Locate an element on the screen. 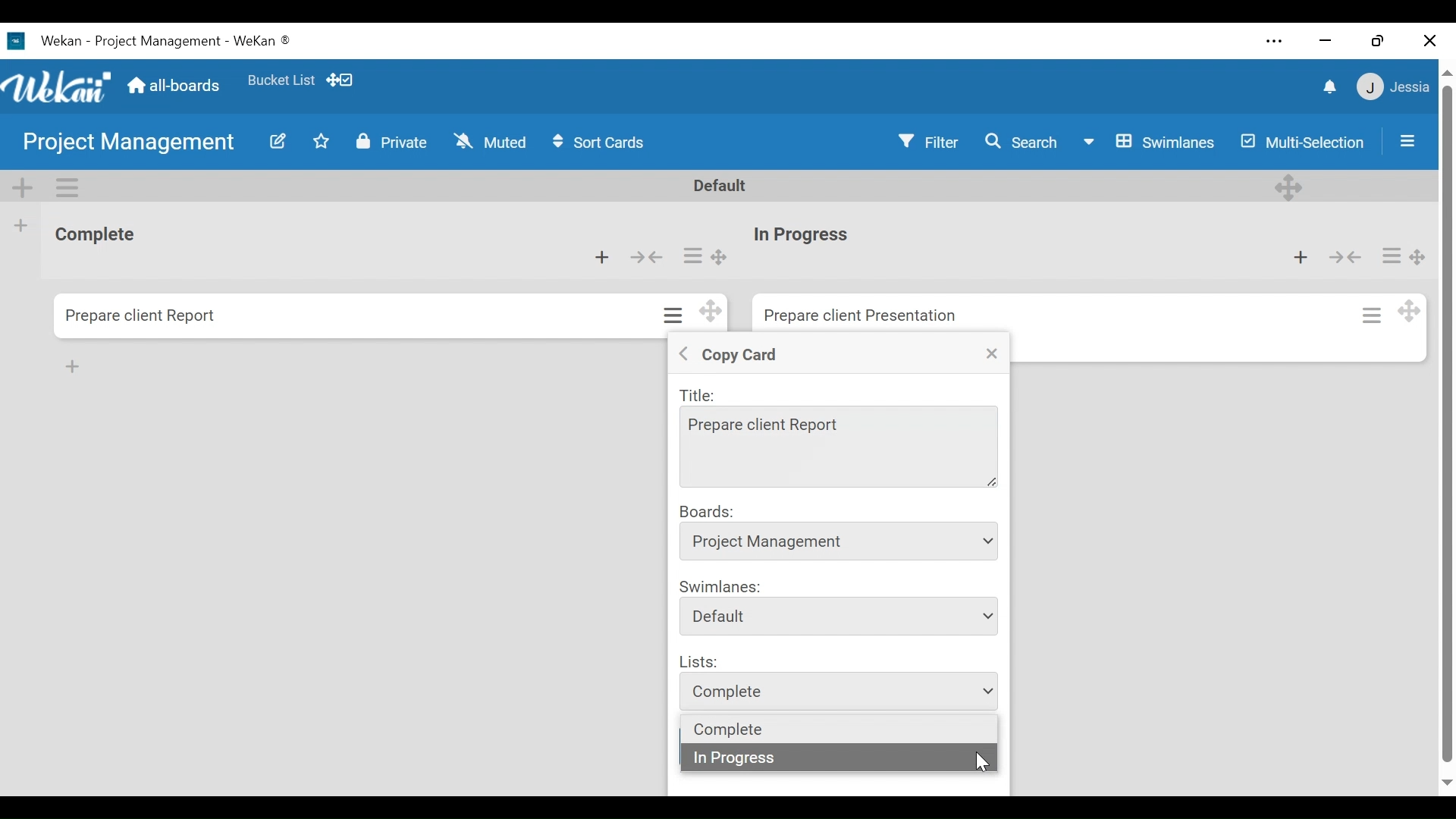  Muted is located at coordinates (490, 142).